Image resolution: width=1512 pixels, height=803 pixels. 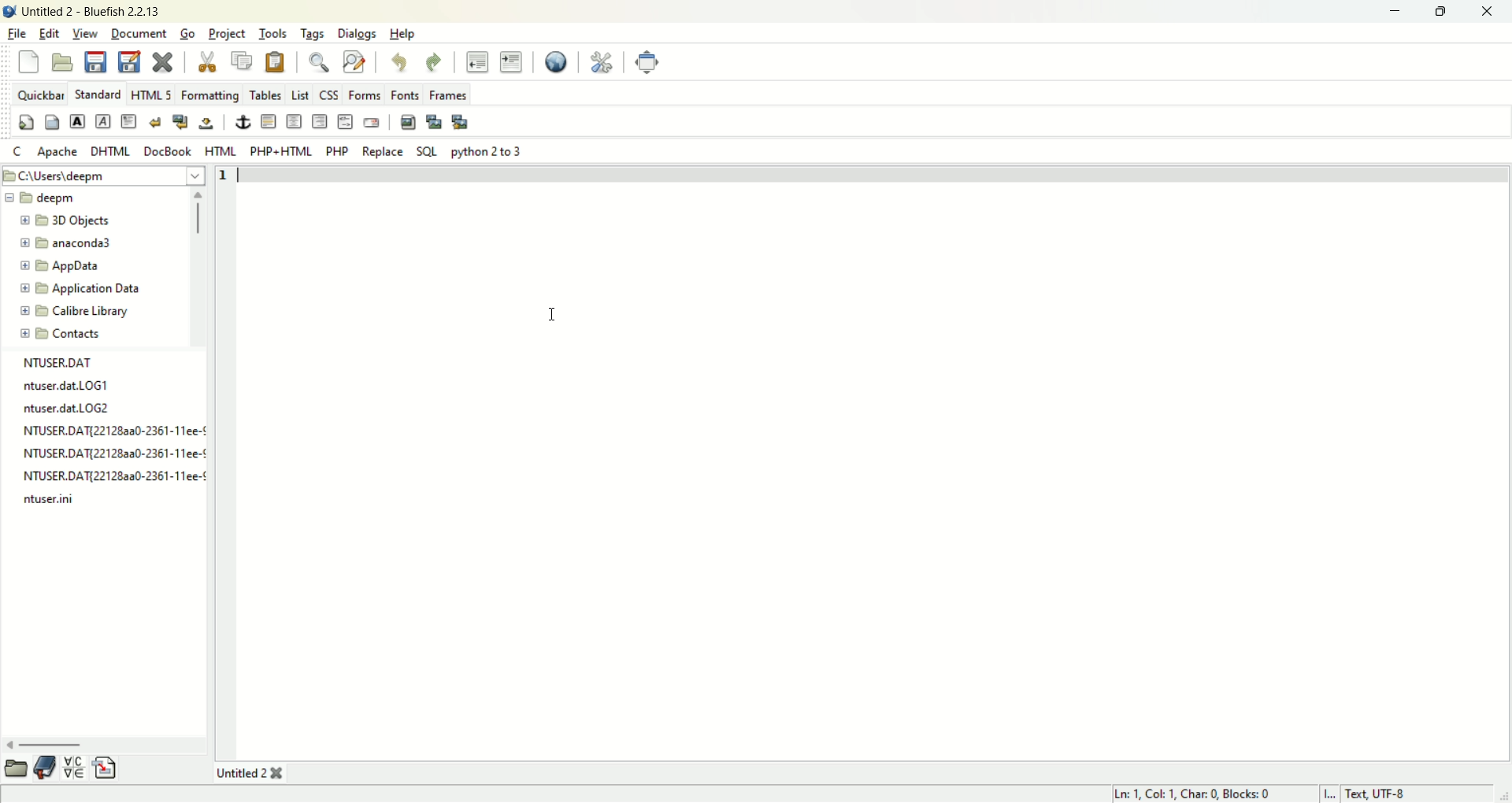 What do you see at coordinates (1331, 793) in the screenshot?
I see `I...` at bounding box center [1331, 793].